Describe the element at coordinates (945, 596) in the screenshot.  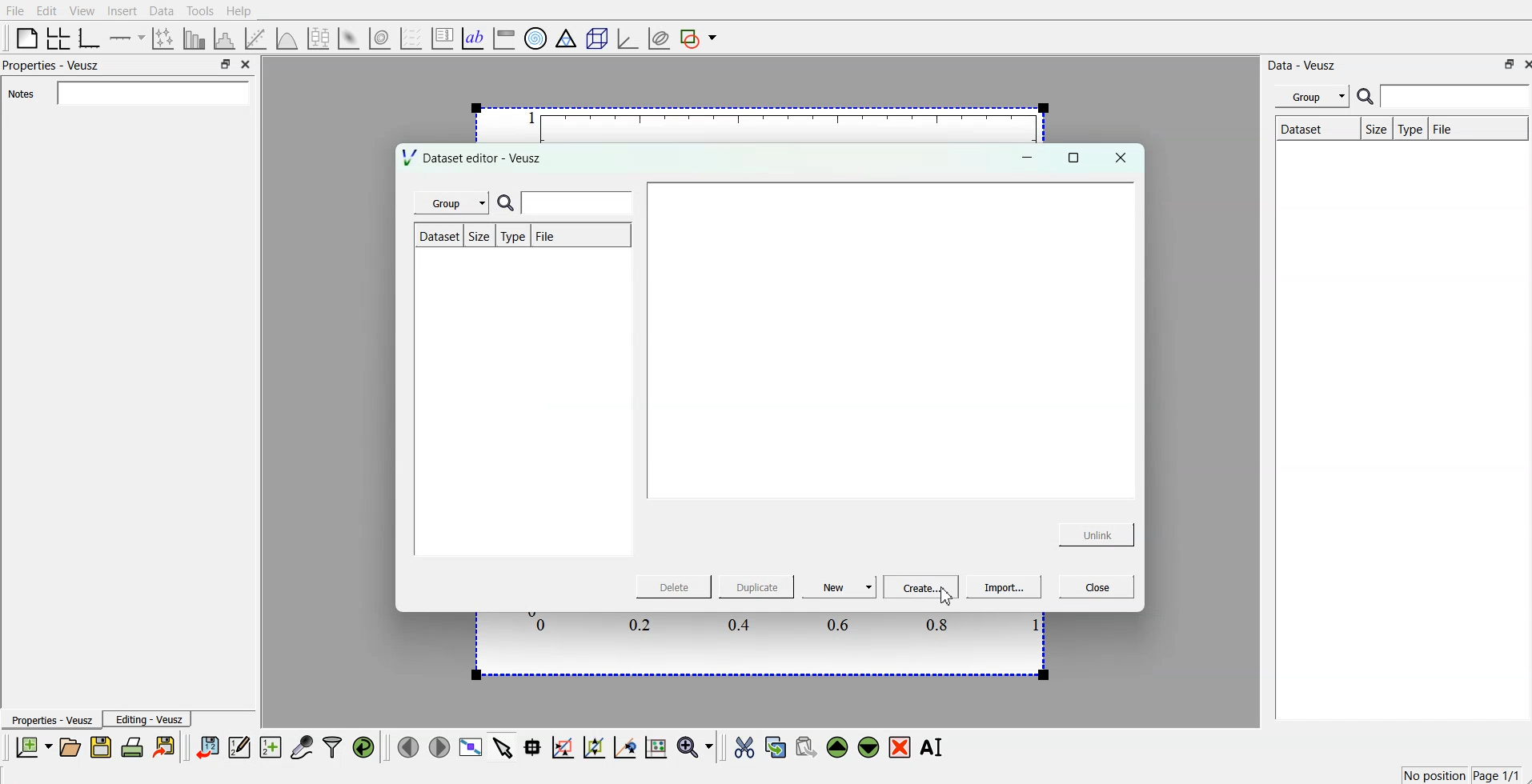
I see `cursor` at that location.